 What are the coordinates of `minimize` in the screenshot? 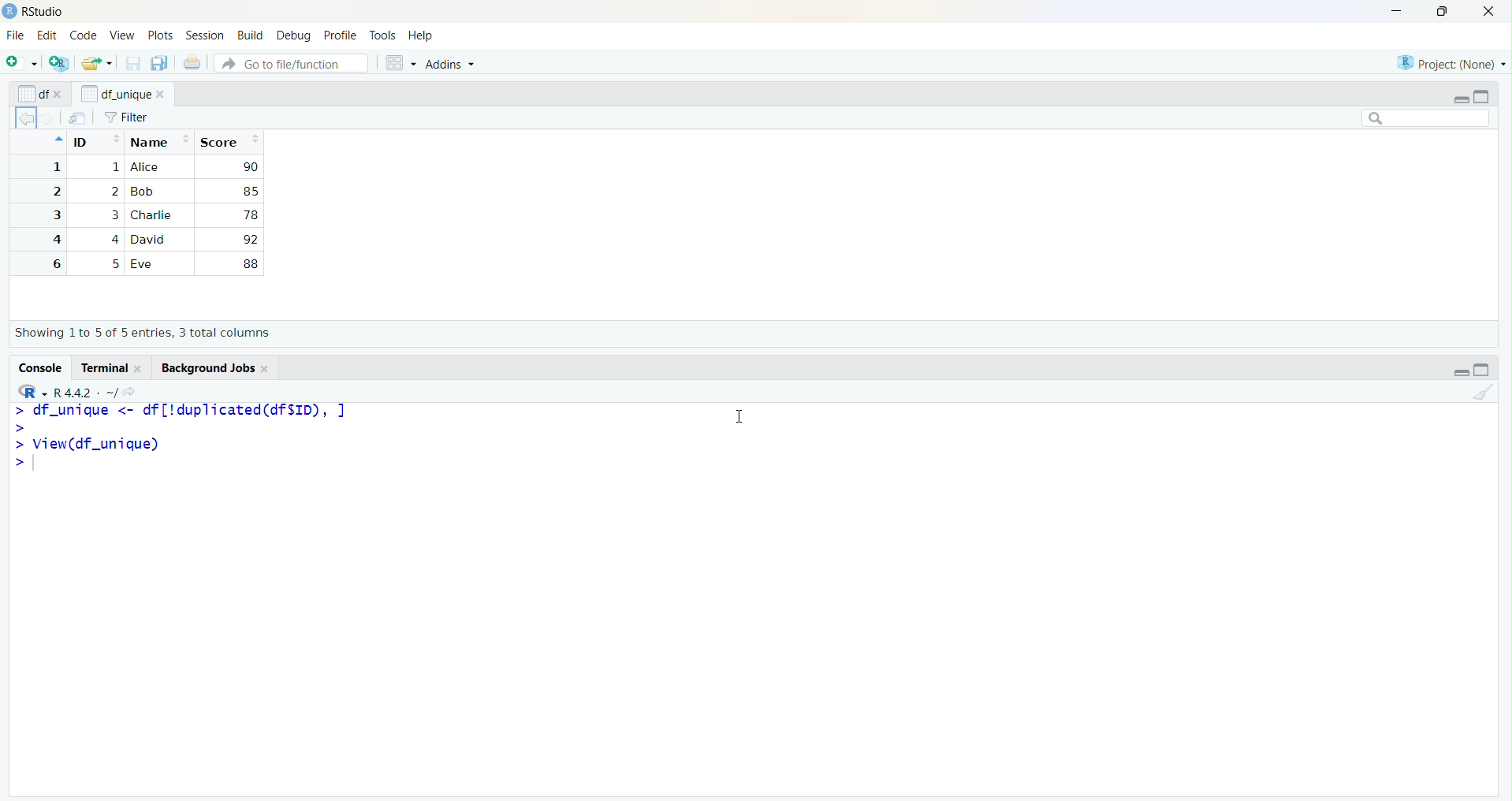 It's located at (1460, 99).